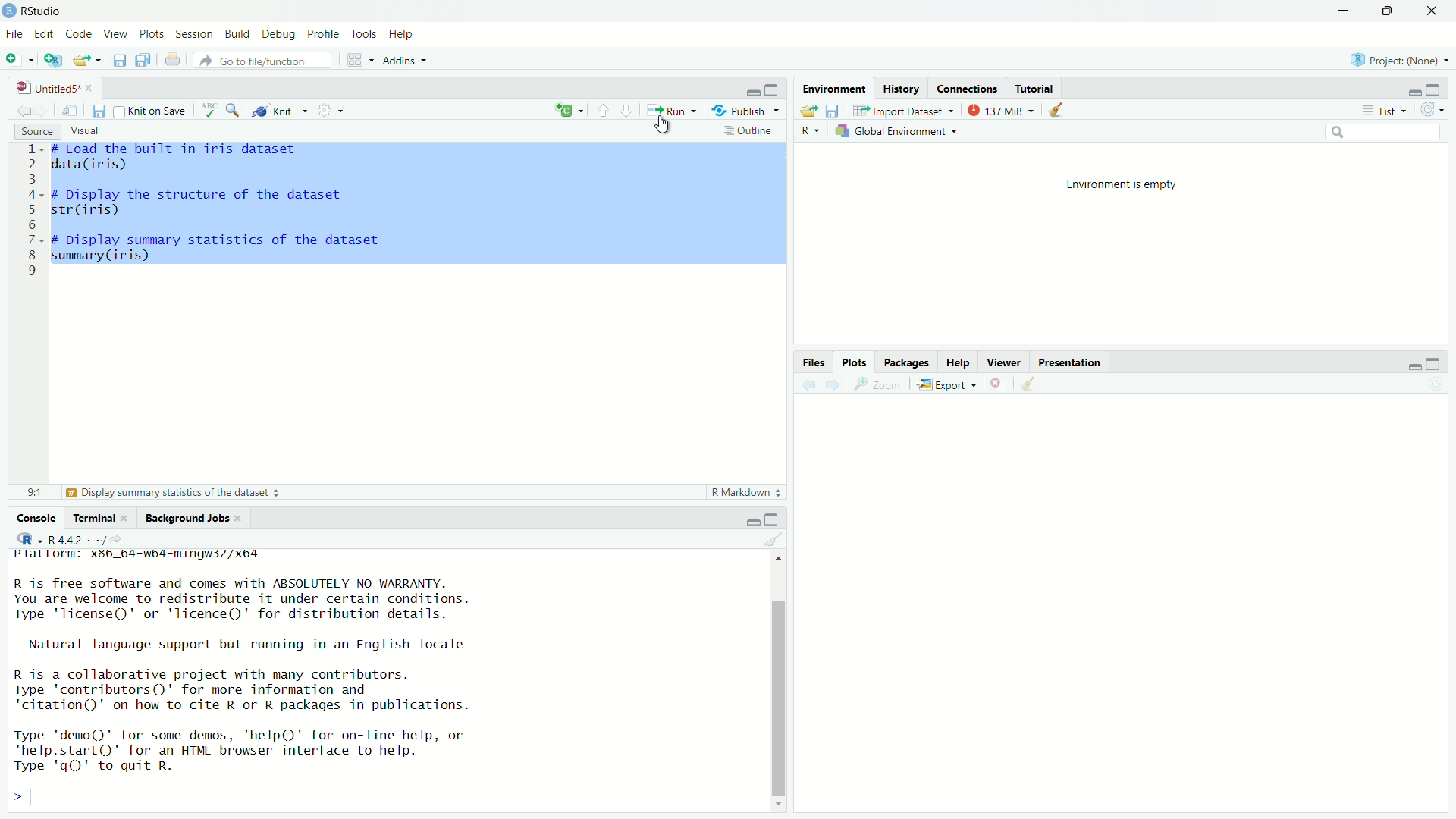  I want to click on “4% Publish ~, so click(745, 109).